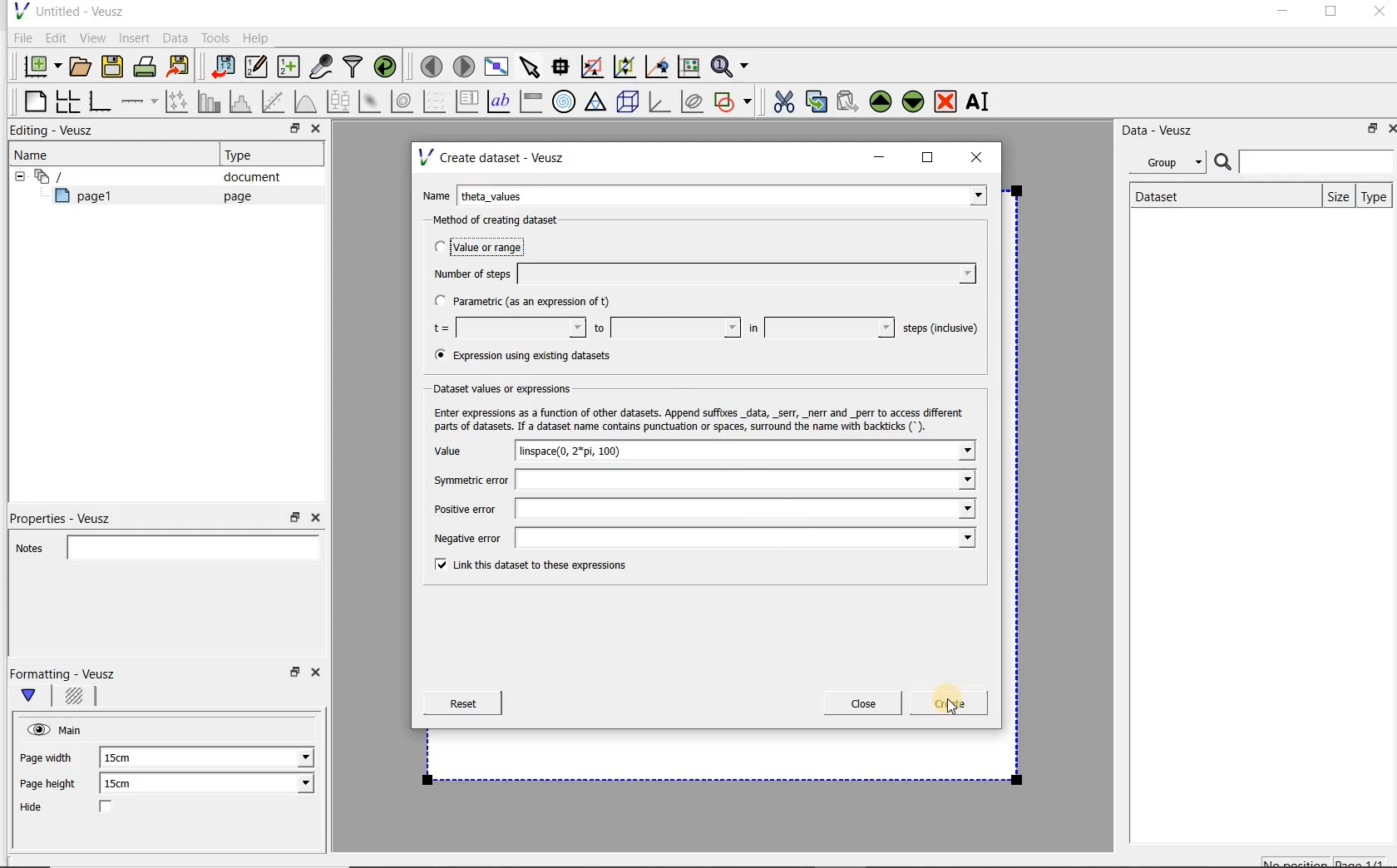 The width and height of the screenshot is (1397, 868). What do you see at coordinates (698, 480) in the screenshot?
I see `Symmetric error` at bounding box center [698, 480].